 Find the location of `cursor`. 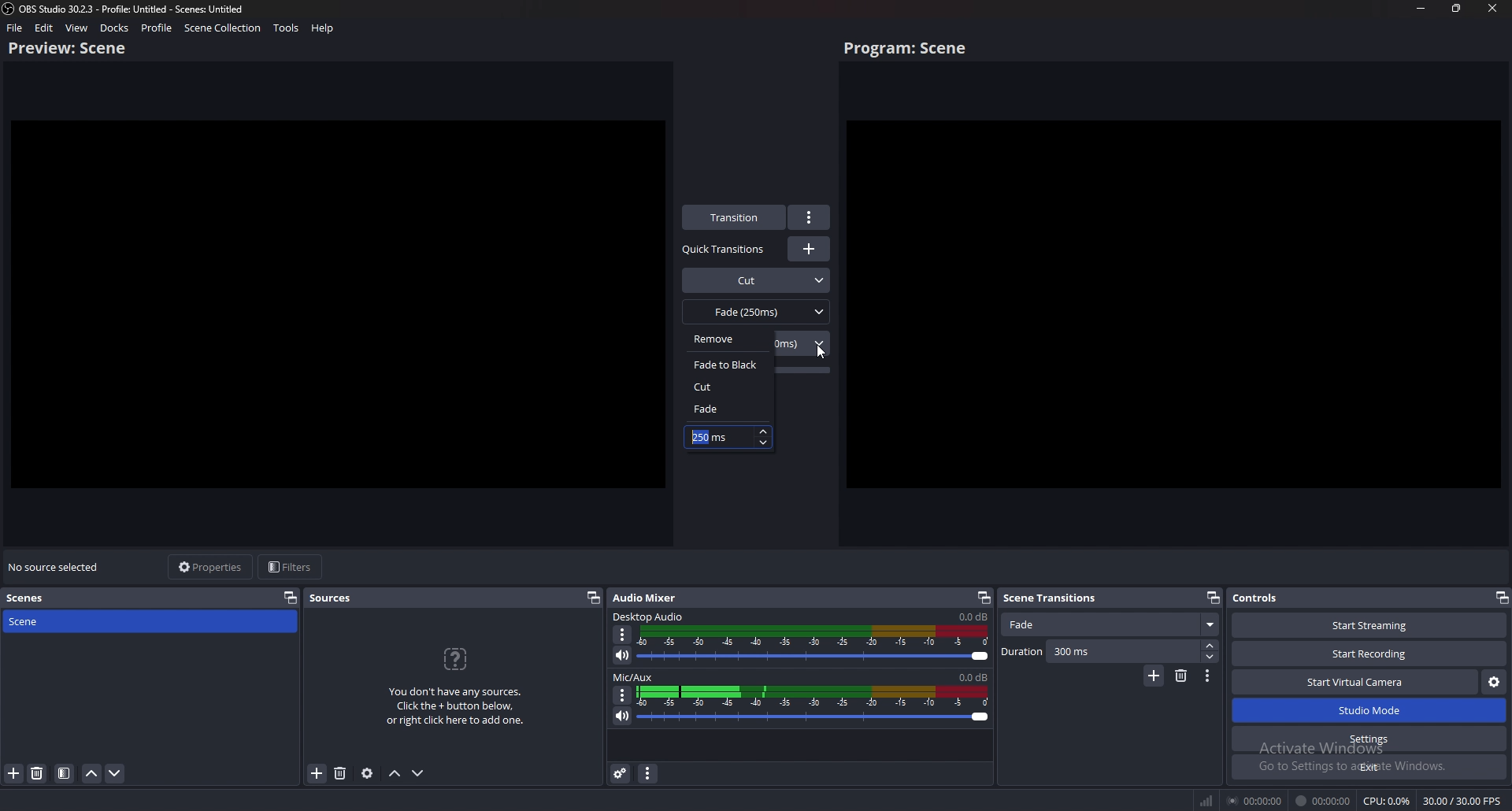

cursor is located at coordinates (821, 354).